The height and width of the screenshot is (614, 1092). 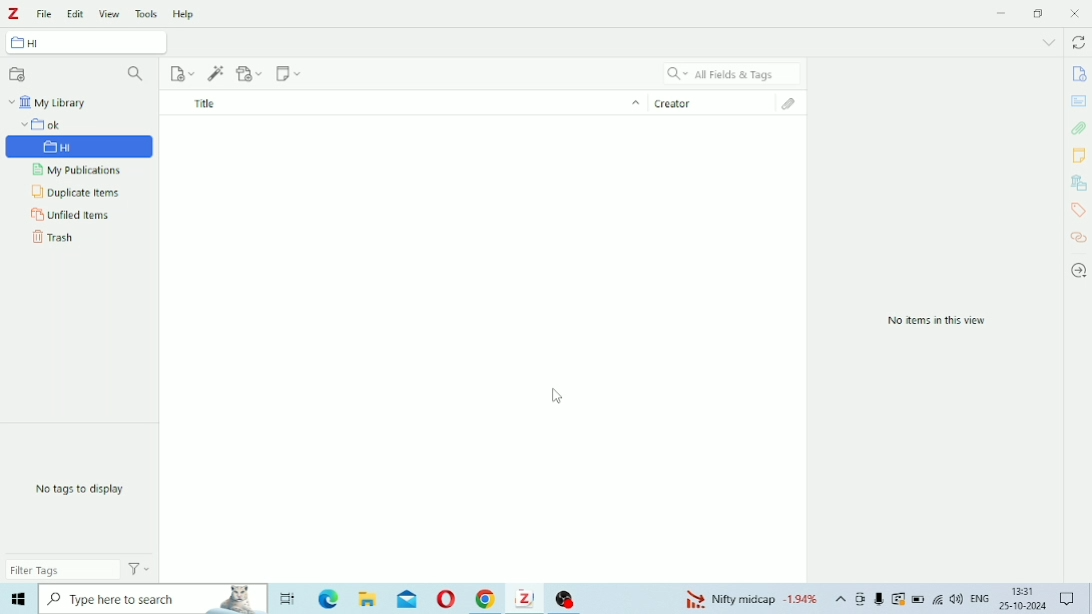 I want to click on Trash, so click(x=55, y=235).